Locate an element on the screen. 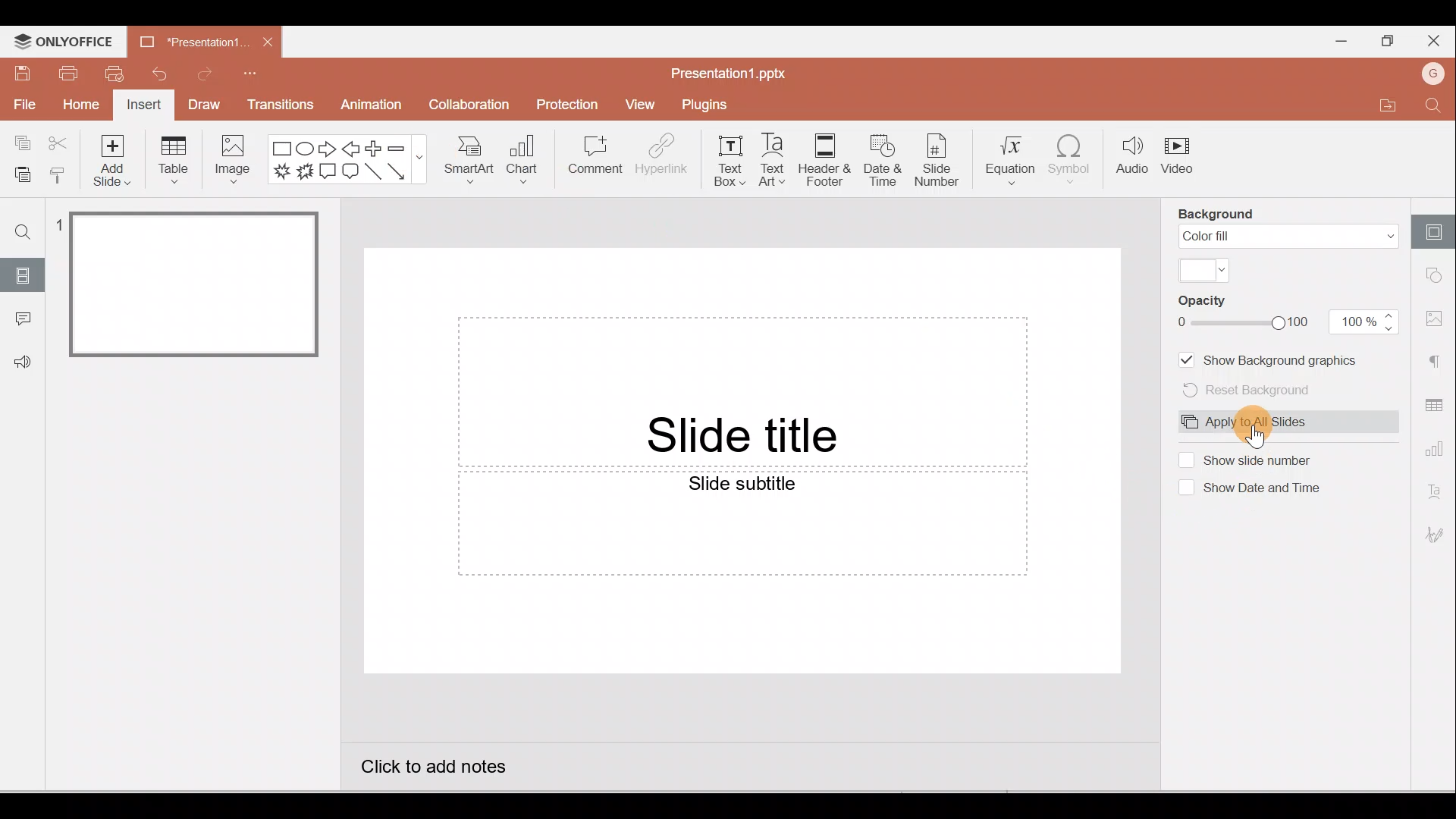 The width and height of the screenshot is (1456, 819). Feedback & support is located at coordinates (24, 362).